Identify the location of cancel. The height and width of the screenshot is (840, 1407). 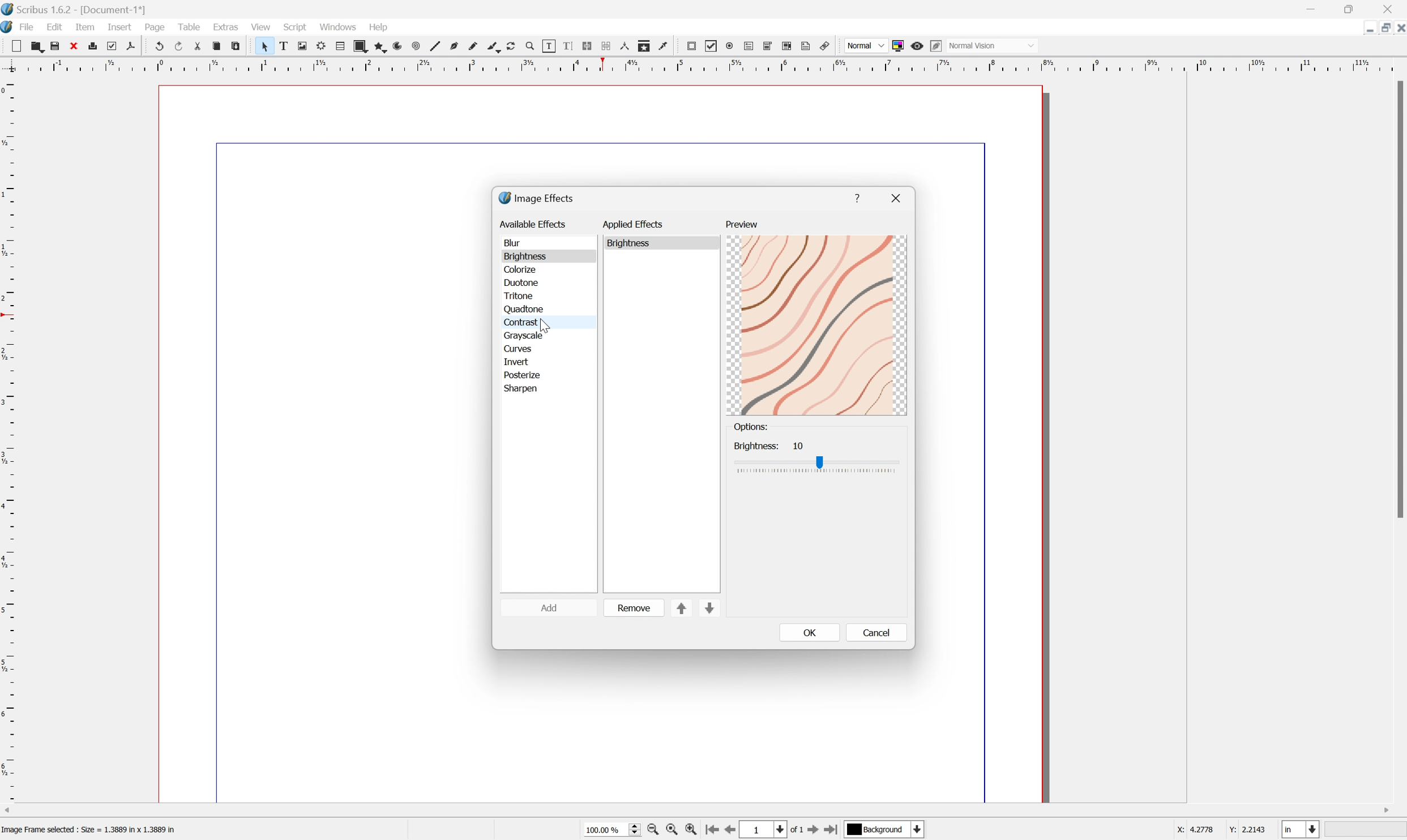
(875, 632).